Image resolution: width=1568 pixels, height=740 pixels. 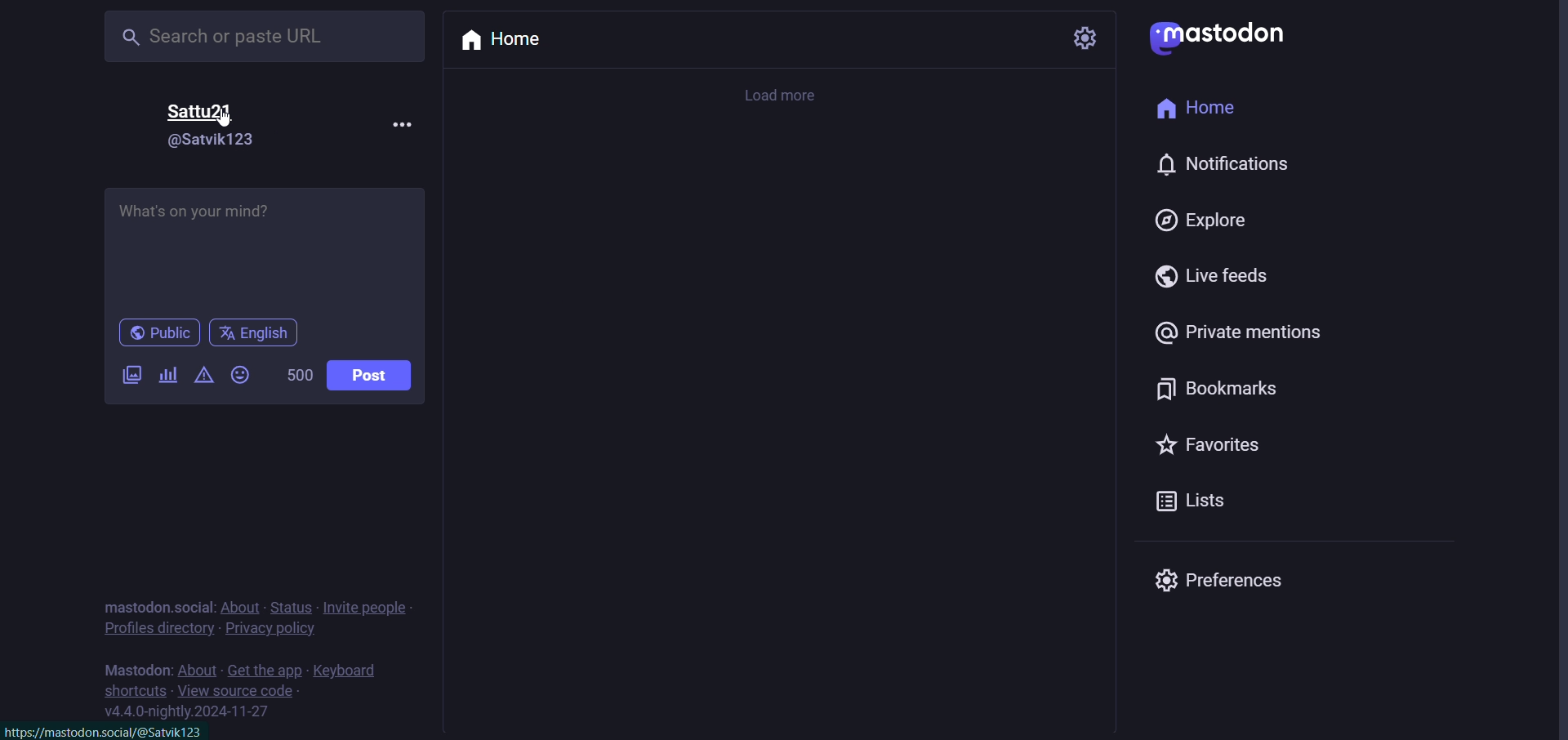 What do you see at coordinates (371, 376) in the screenshot?
I see `post` at bounding box center [371, 376].